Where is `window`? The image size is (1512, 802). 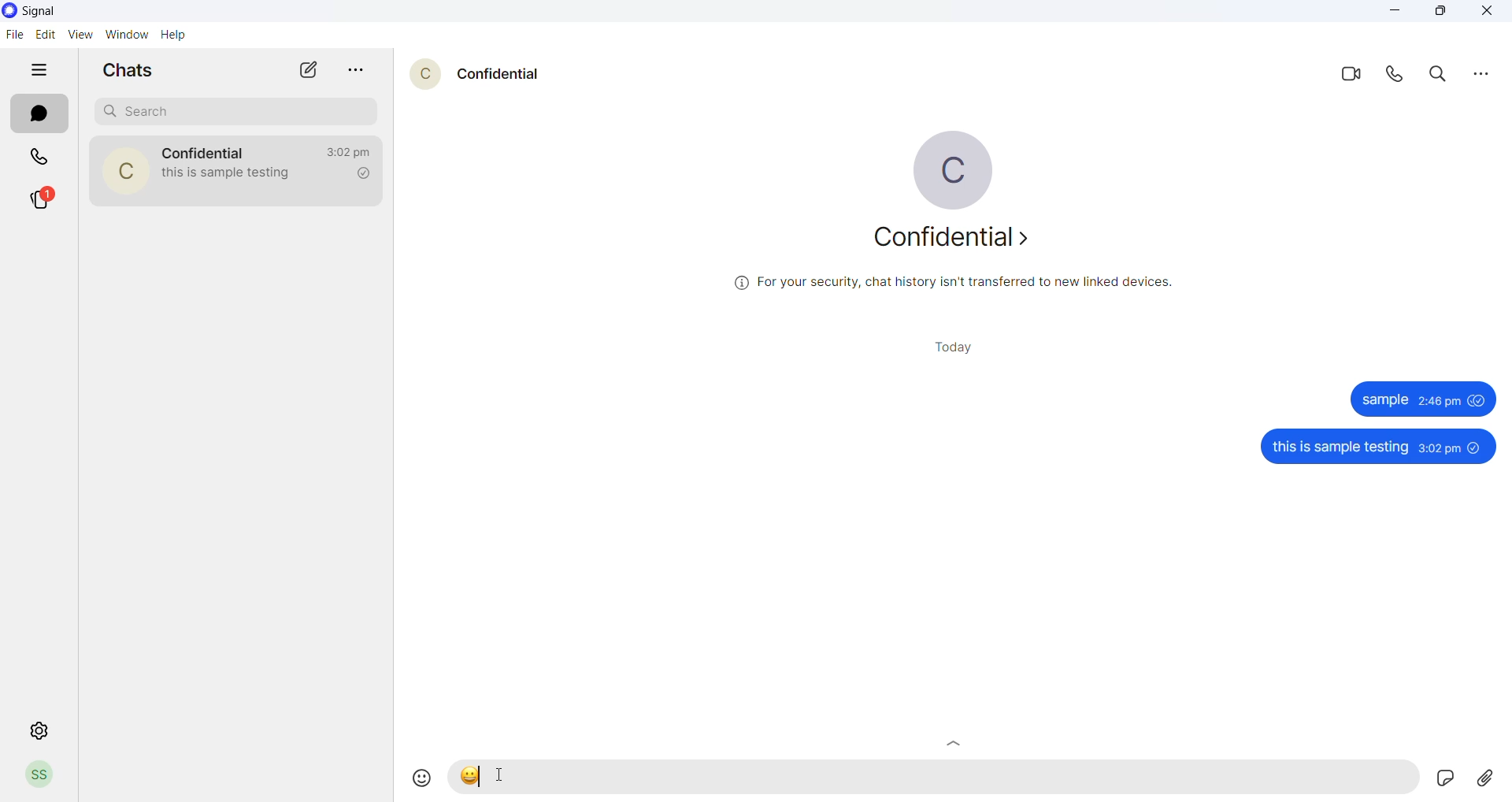
window is located at coordinates (127, 34).